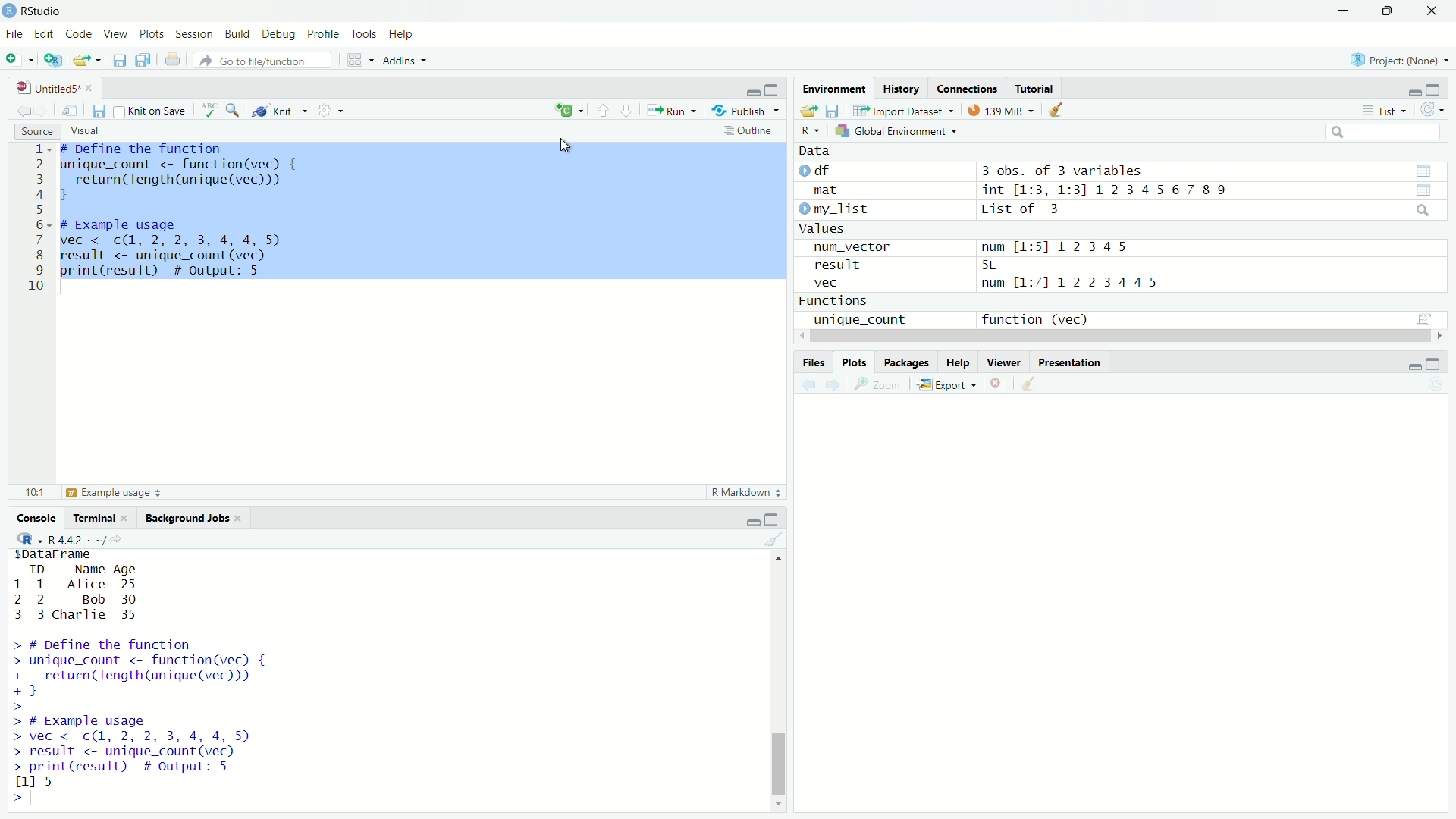 The width and height of the screenshot is (1456, 819). What do you see at coordinates (354, 60) in the screenshot?
I see `workspace panes` at bounding box center [354, 60].